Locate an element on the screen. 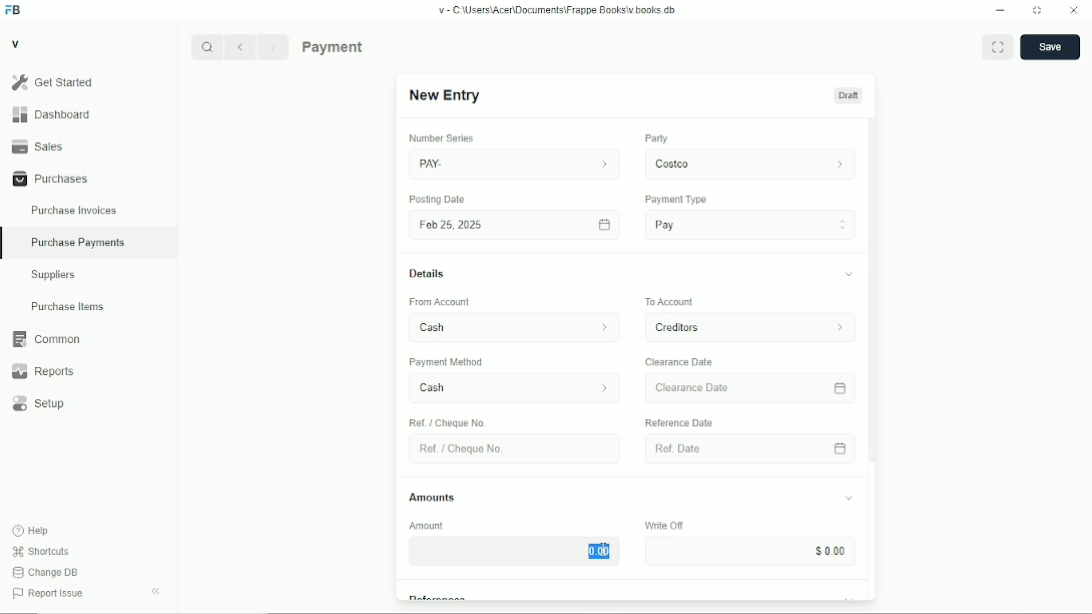 This screenshot has height=614, width=1092. Help is located at coordinates (31, 531).